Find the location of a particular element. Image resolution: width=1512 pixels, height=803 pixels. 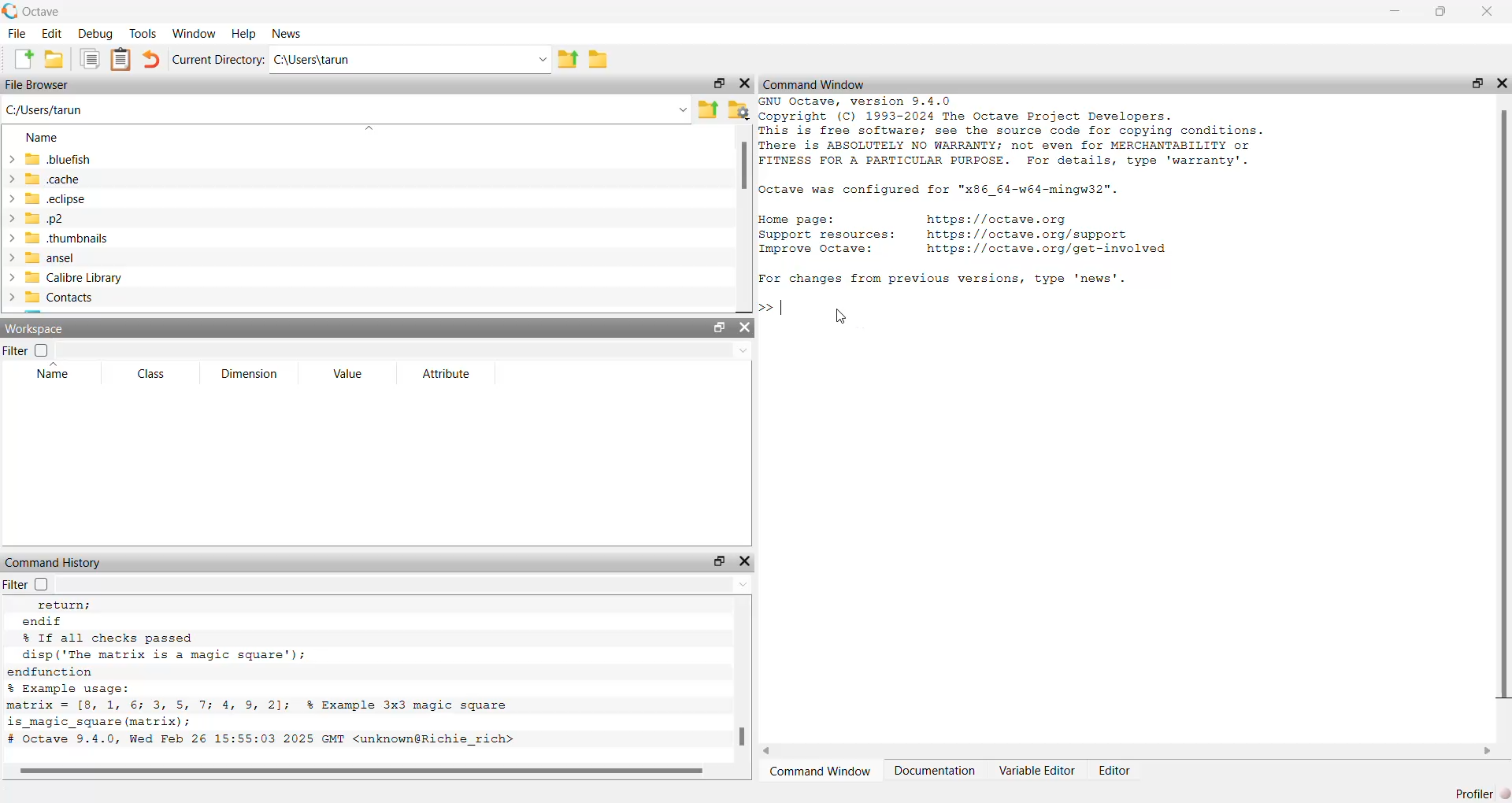

Previous Folder is located at coordinates (706, 111).